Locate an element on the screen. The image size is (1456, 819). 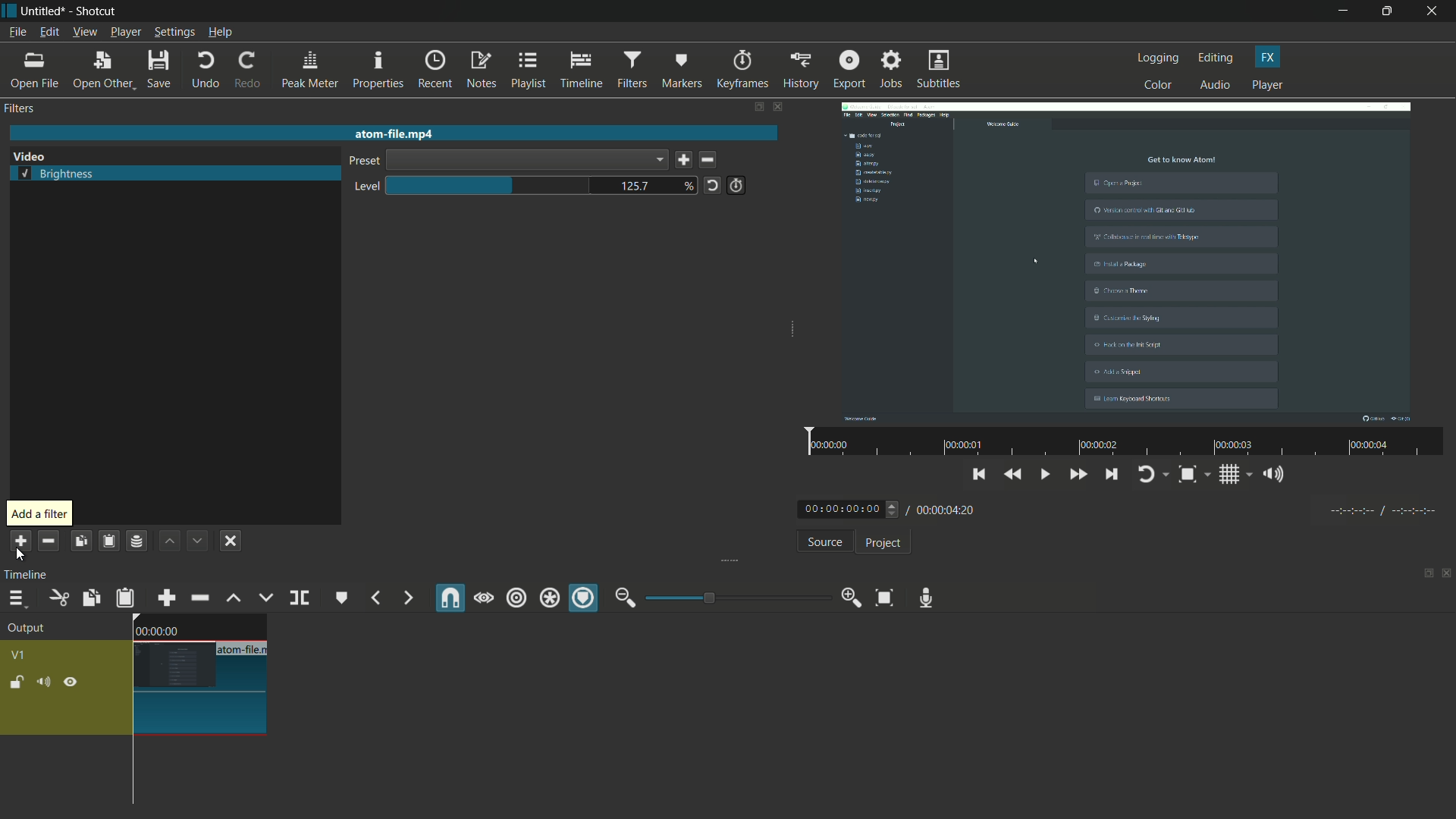
copy filters is located at coordinates (80, 541).